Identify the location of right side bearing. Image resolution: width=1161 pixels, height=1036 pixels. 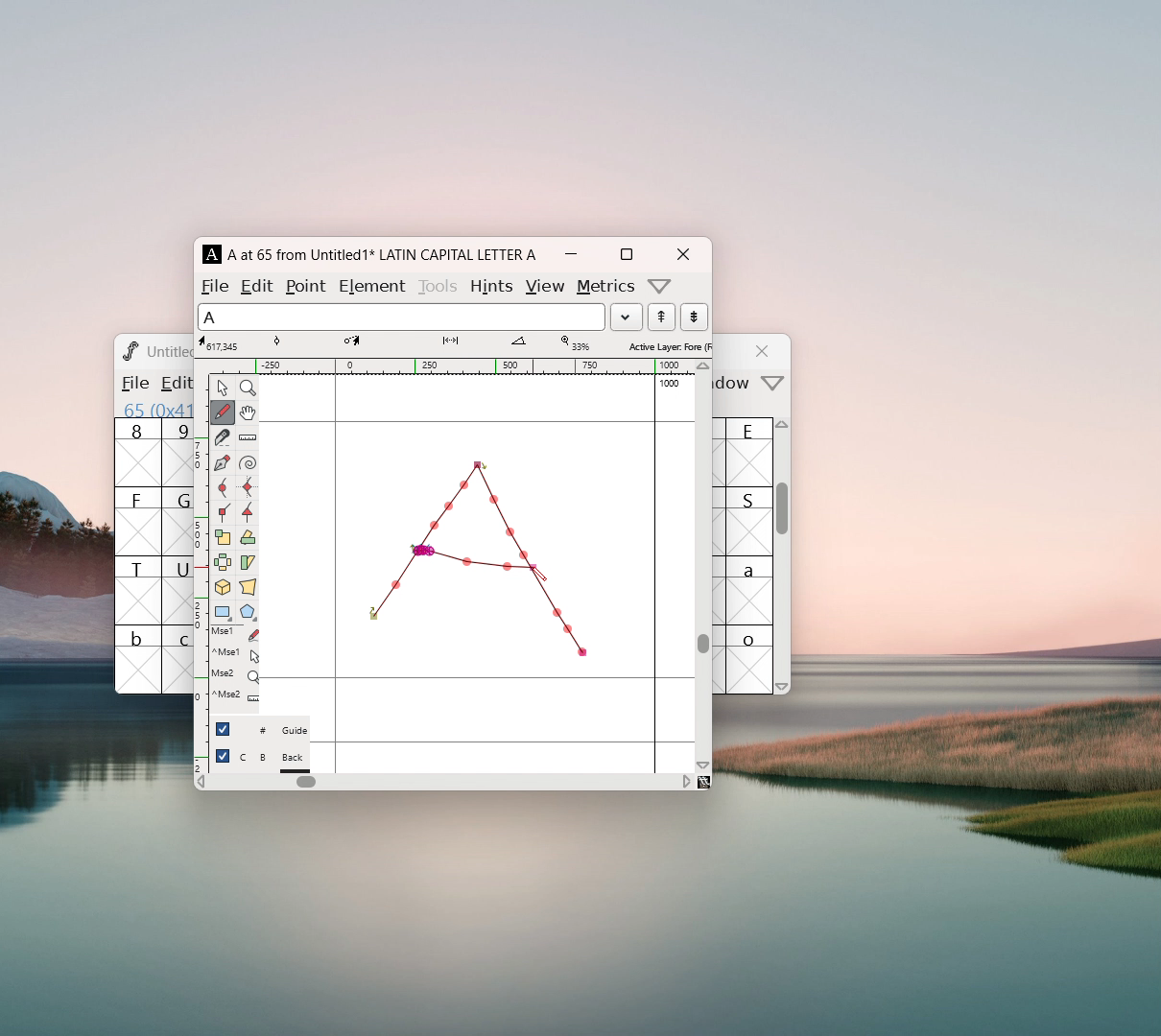
(655, 573).